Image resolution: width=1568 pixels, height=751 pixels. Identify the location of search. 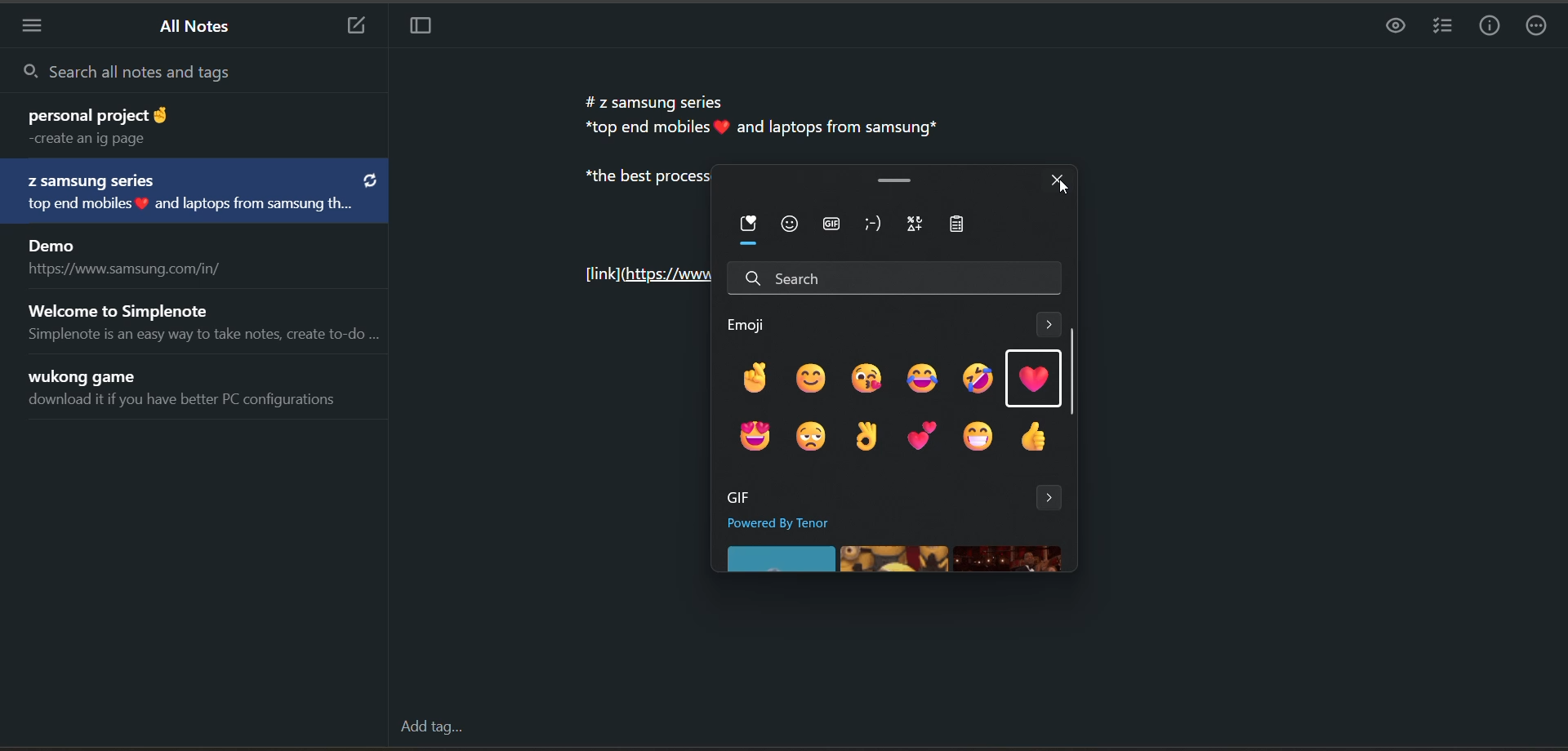
(192, 71).